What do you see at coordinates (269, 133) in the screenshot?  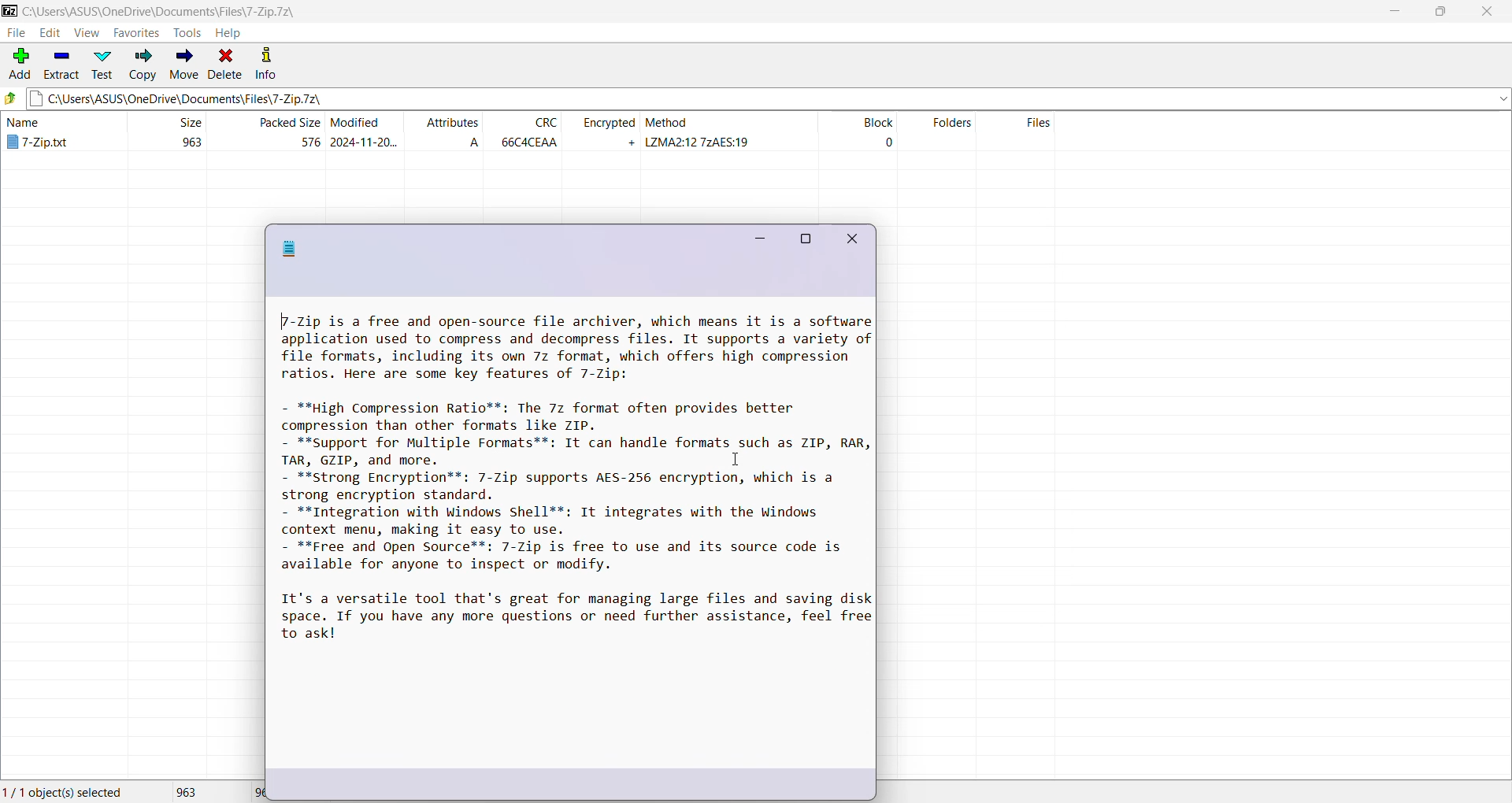 I see `Packed Size` at bounding box center [269, 133].